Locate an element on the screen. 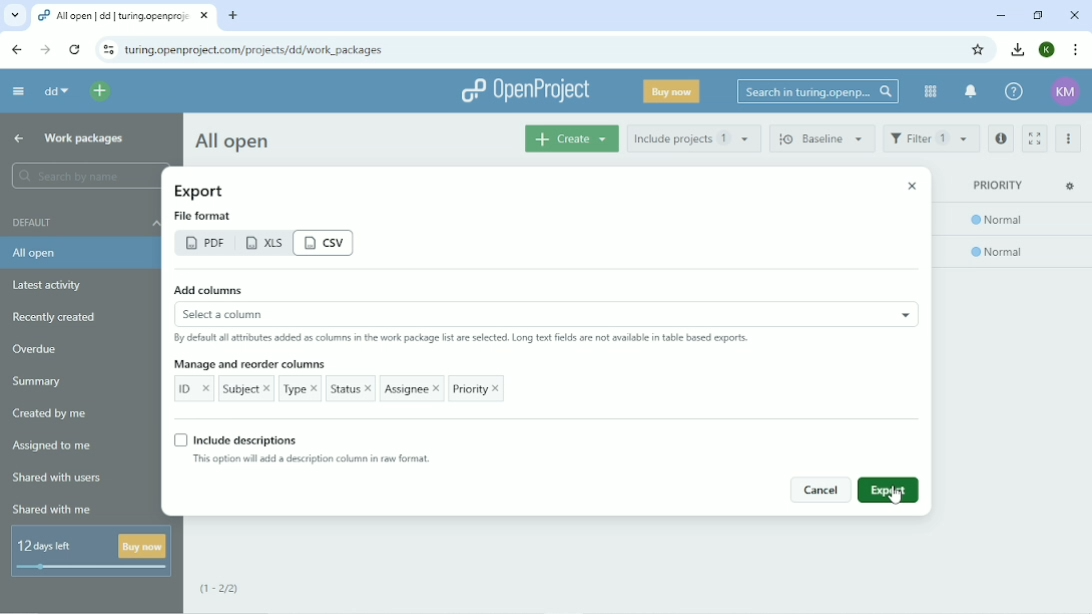 Image resolution: width=1092 pixels, height=614 pixels. Activate zen mode is located at coordinates (1035, 136).